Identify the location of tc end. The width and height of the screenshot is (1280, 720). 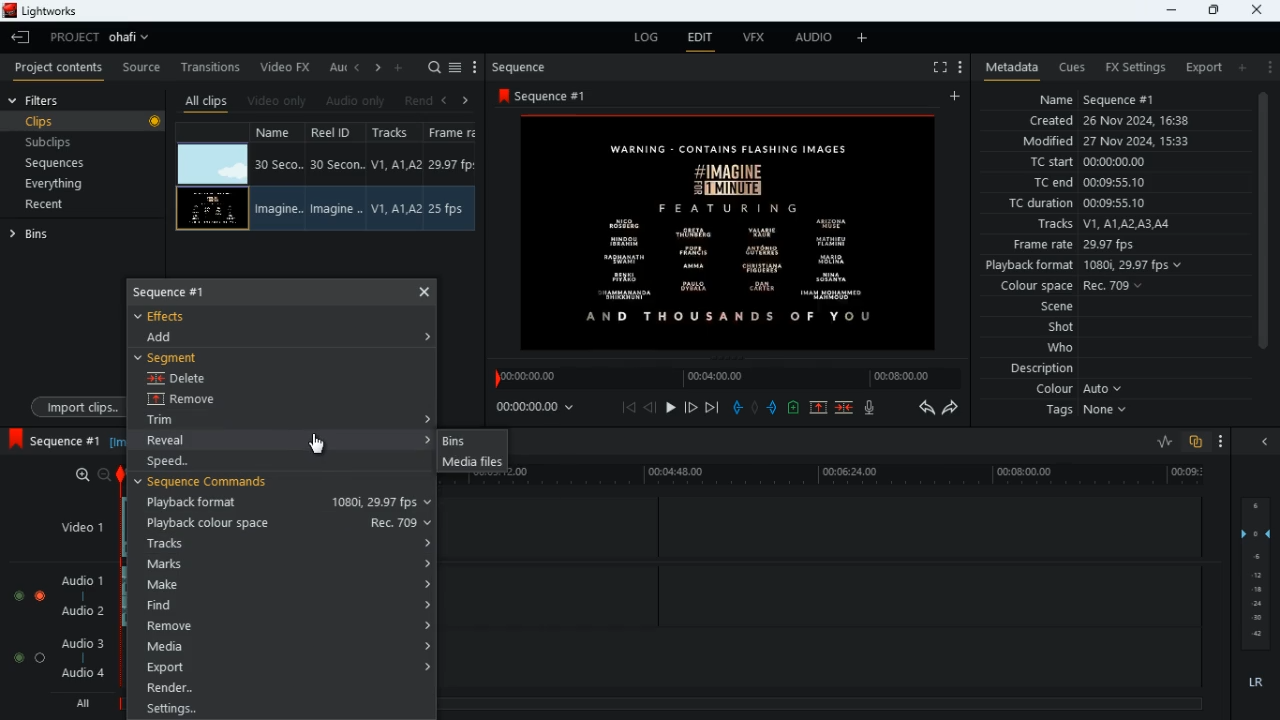
(1096, 183).